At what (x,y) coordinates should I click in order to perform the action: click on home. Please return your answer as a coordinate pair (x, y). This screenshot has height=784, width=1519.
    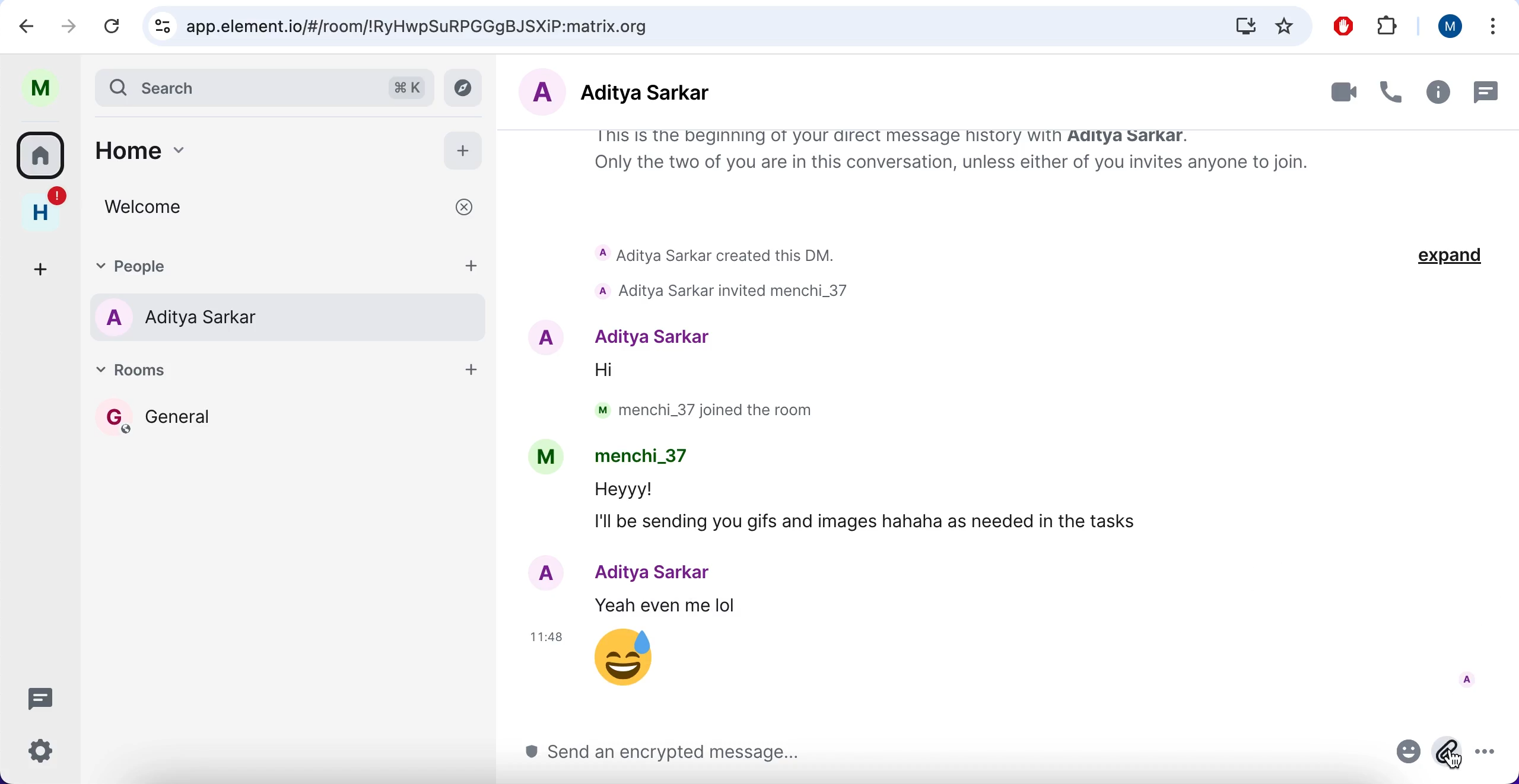
    Looking at the image, I should click on (42, 206).